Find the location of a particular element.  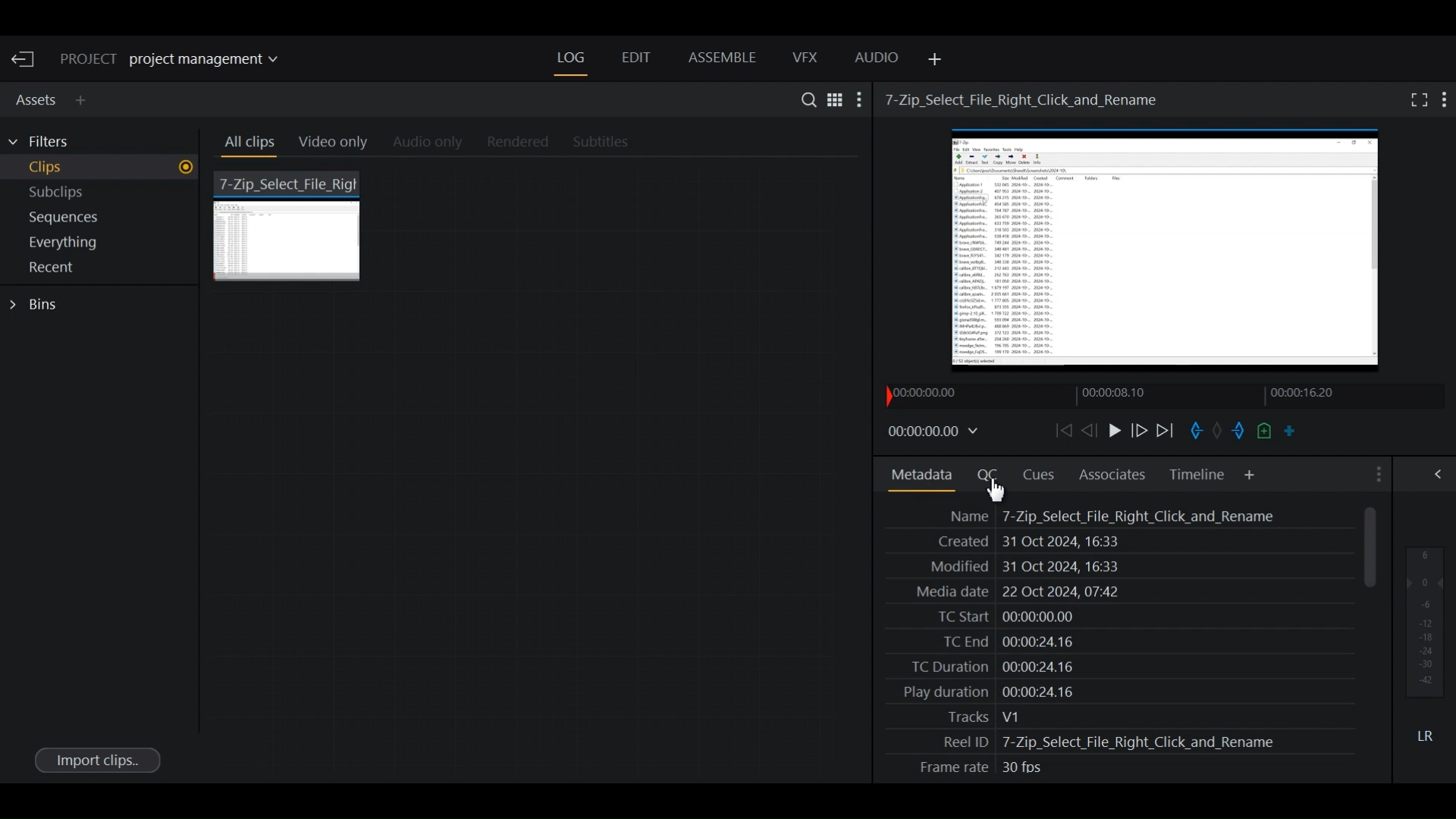

Play Duration is located at coordinates (1096, 692).